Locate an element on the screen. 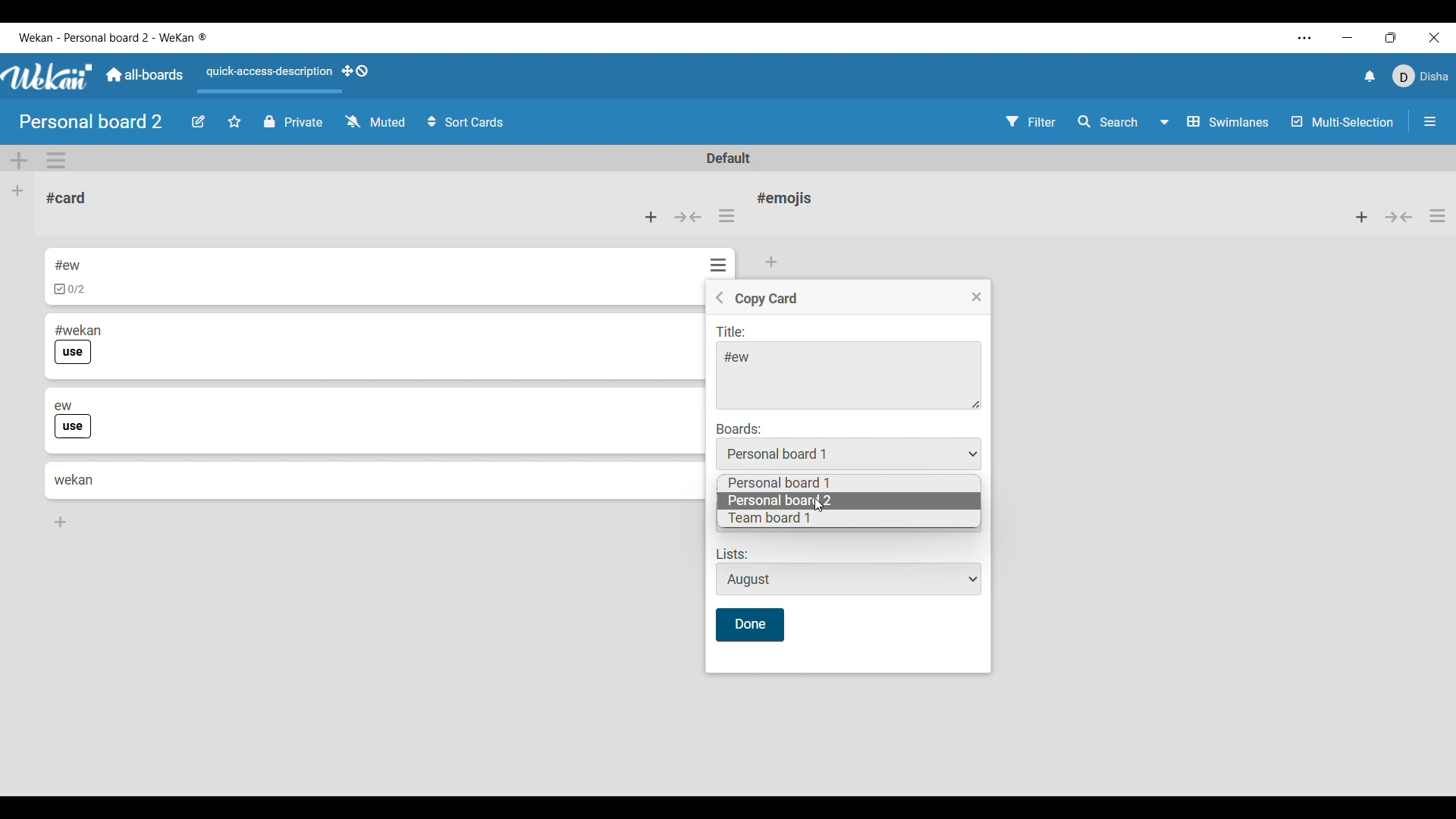 The width and height of the screenshot is (1456, 819). Add card to top of list is located at coordinates (651, 218).